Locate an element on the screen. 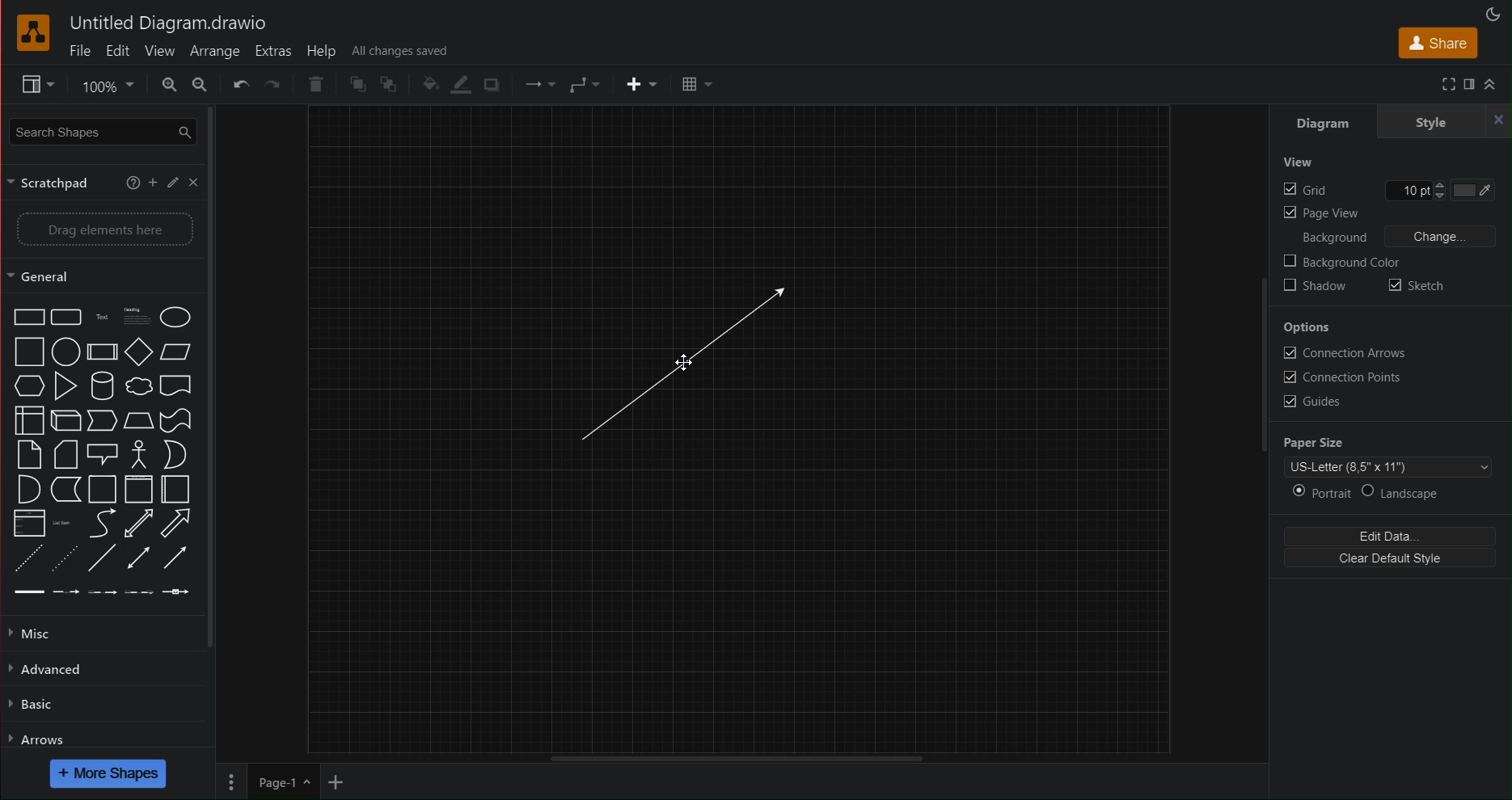 The width and height of the screenshot is (1512, 800). Misc is located at coordinates (37, 633).